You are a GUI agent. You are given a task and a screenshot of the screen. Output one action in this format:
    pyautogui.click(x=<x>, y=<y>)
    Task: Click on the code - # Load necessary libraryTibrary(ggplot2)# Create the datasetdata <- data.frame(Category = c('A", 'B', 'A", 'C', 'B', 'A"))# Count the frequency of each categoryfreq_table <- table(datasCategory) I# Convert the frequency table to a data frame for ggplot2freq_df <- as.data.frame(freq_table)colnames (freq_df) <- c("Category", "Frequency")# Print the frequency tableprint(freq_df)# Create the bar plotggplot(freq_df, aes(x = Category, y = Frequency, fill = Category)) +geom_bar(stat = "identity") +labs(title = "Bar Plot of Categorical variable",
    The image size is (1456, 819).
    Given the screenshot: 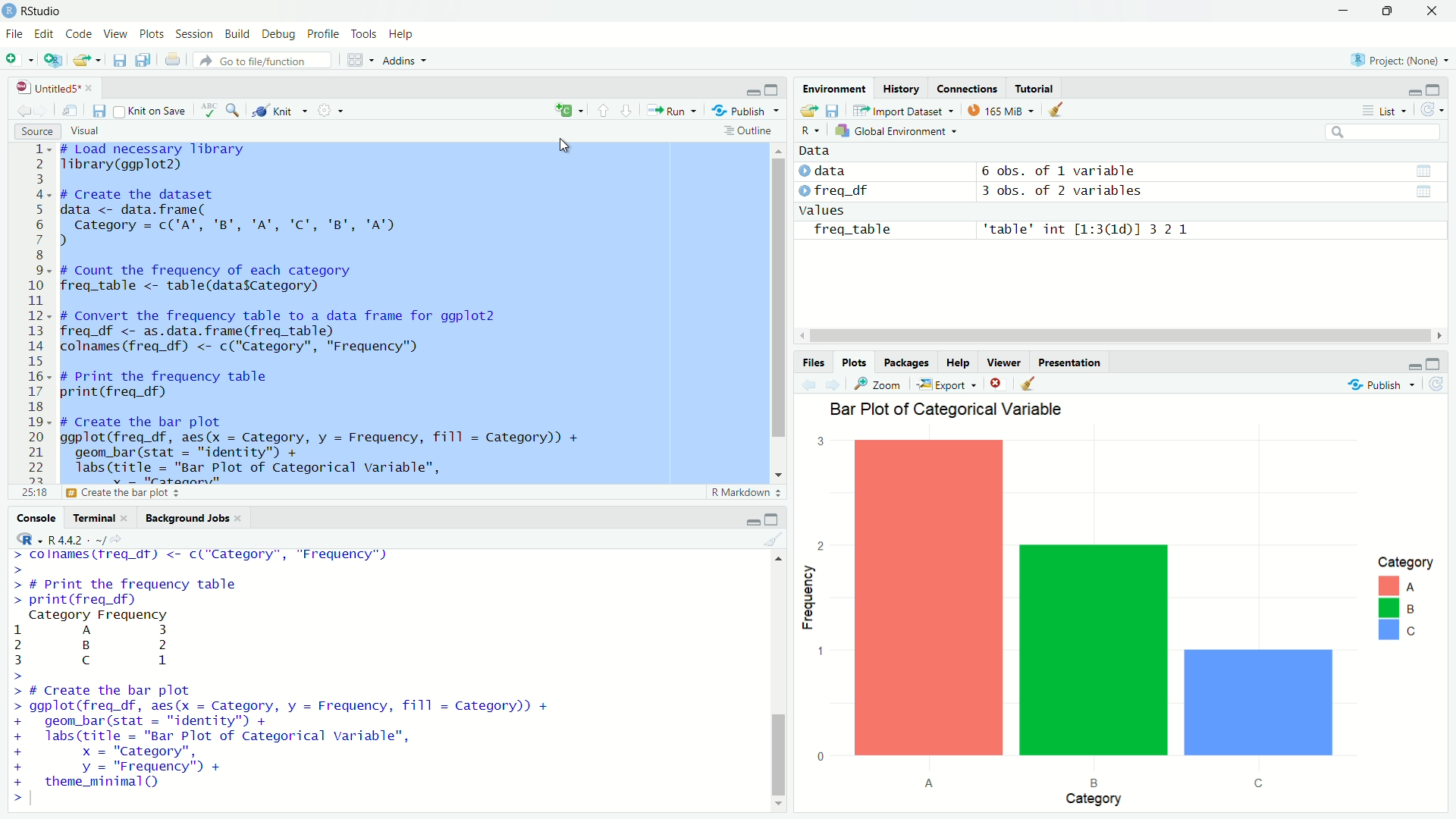 What is the action you would take?
    pyautogui.click(x=410, y=313)
    